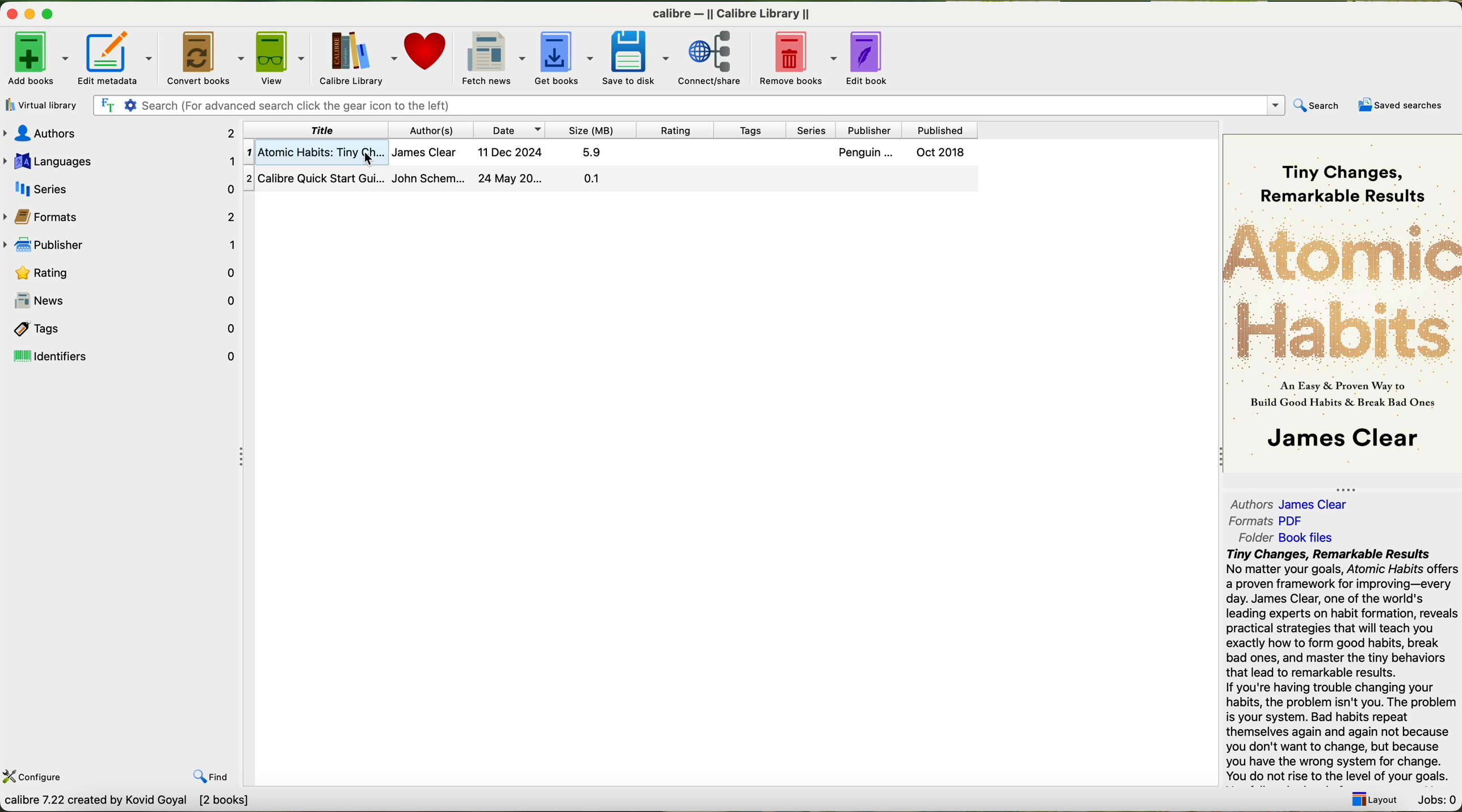 This screenshot has width=1462, height=812. What do you see at coordinates (689, 105) in the screenshot?
I see `search bar` at bounding box center [689, 105].